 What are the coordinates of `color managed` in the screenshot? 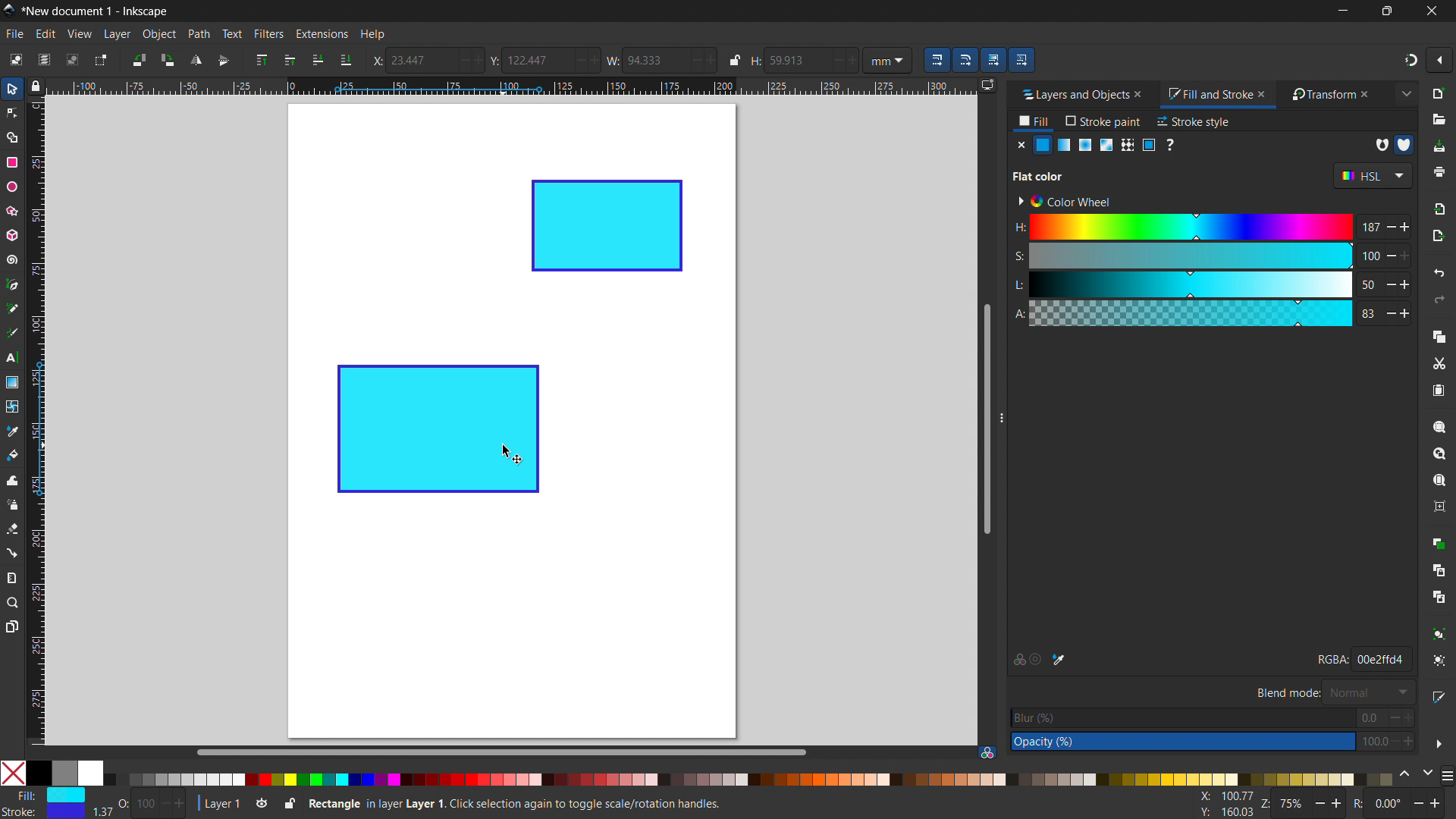 It's located at (987, 752).